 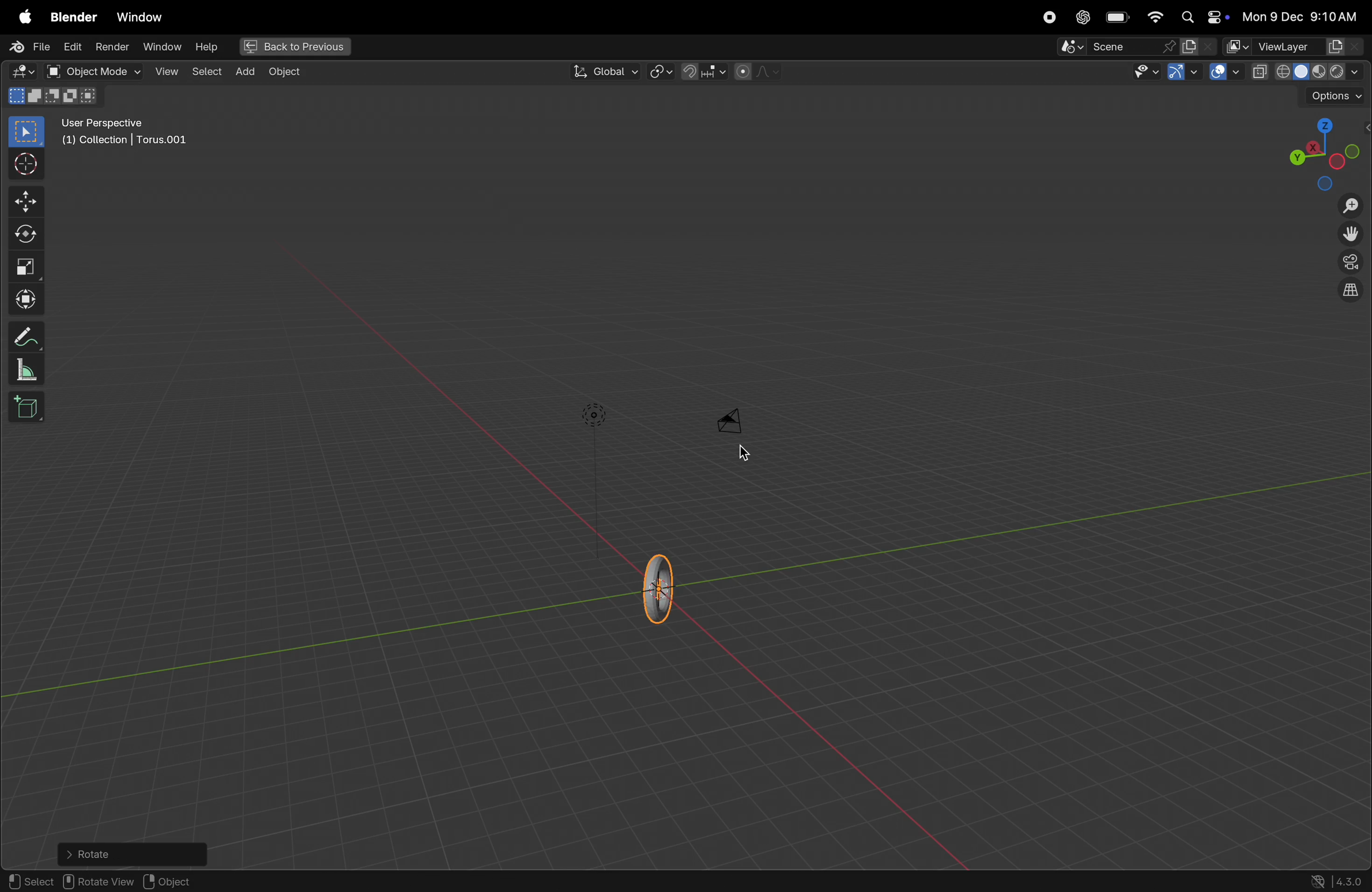 What do you see at coordinates (293, 48) in the screenshot?
I see `back to previous` at bounding box center [293, 48].